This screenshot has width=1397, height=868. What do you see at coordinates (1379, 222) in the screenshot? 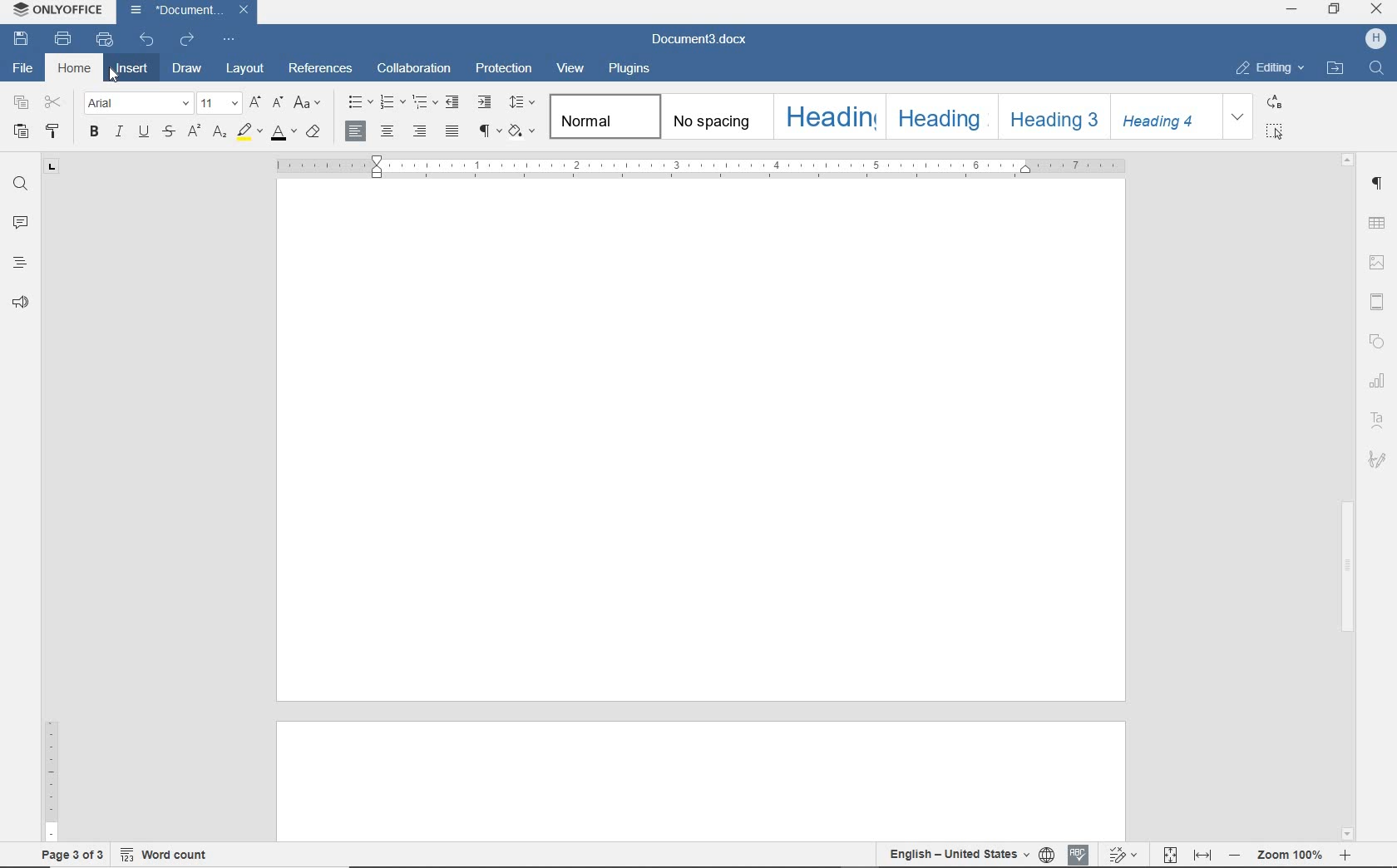
I see `TABLE` at bounding box center [1379, 222].